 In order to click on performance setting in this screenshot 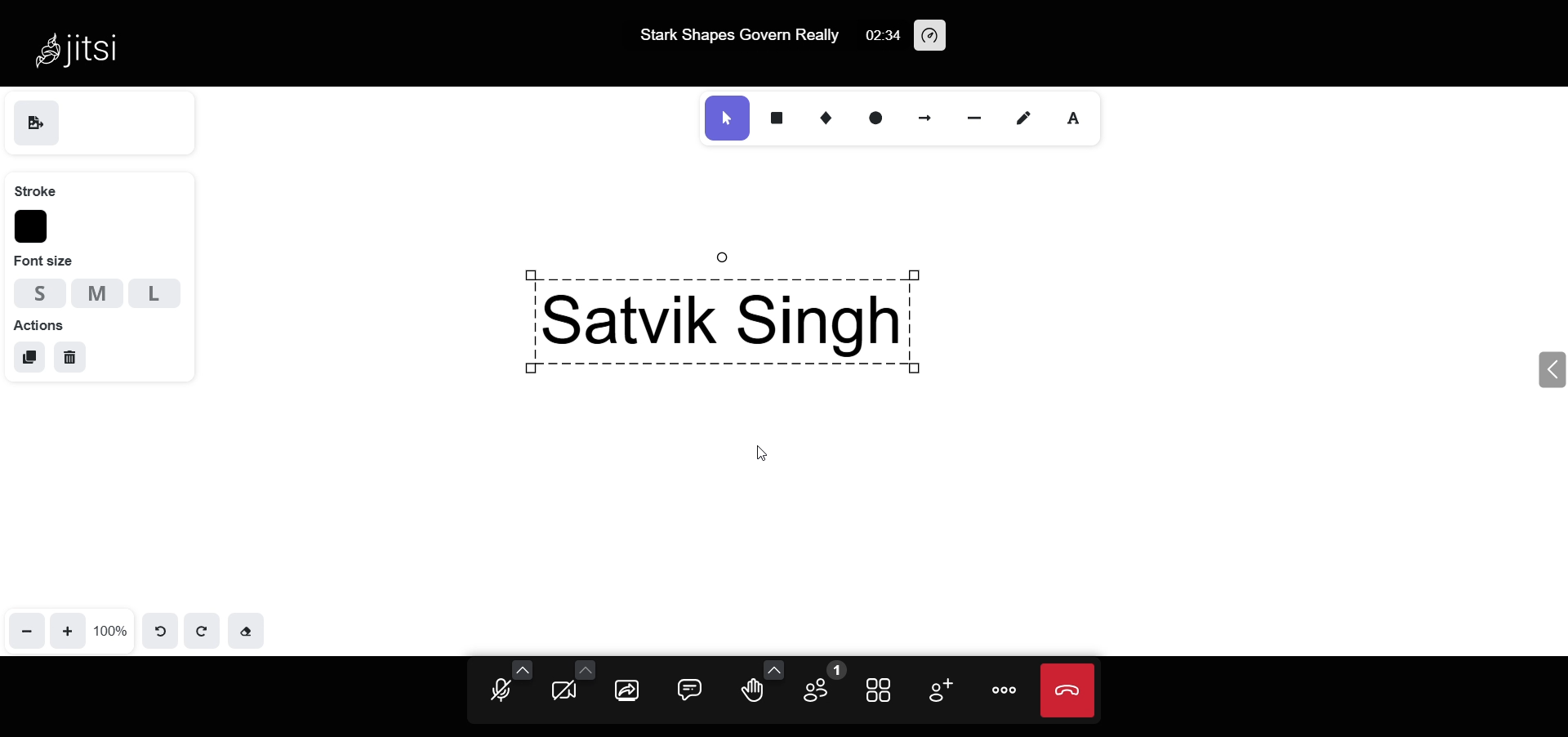, I will do `click(933, 37)`.